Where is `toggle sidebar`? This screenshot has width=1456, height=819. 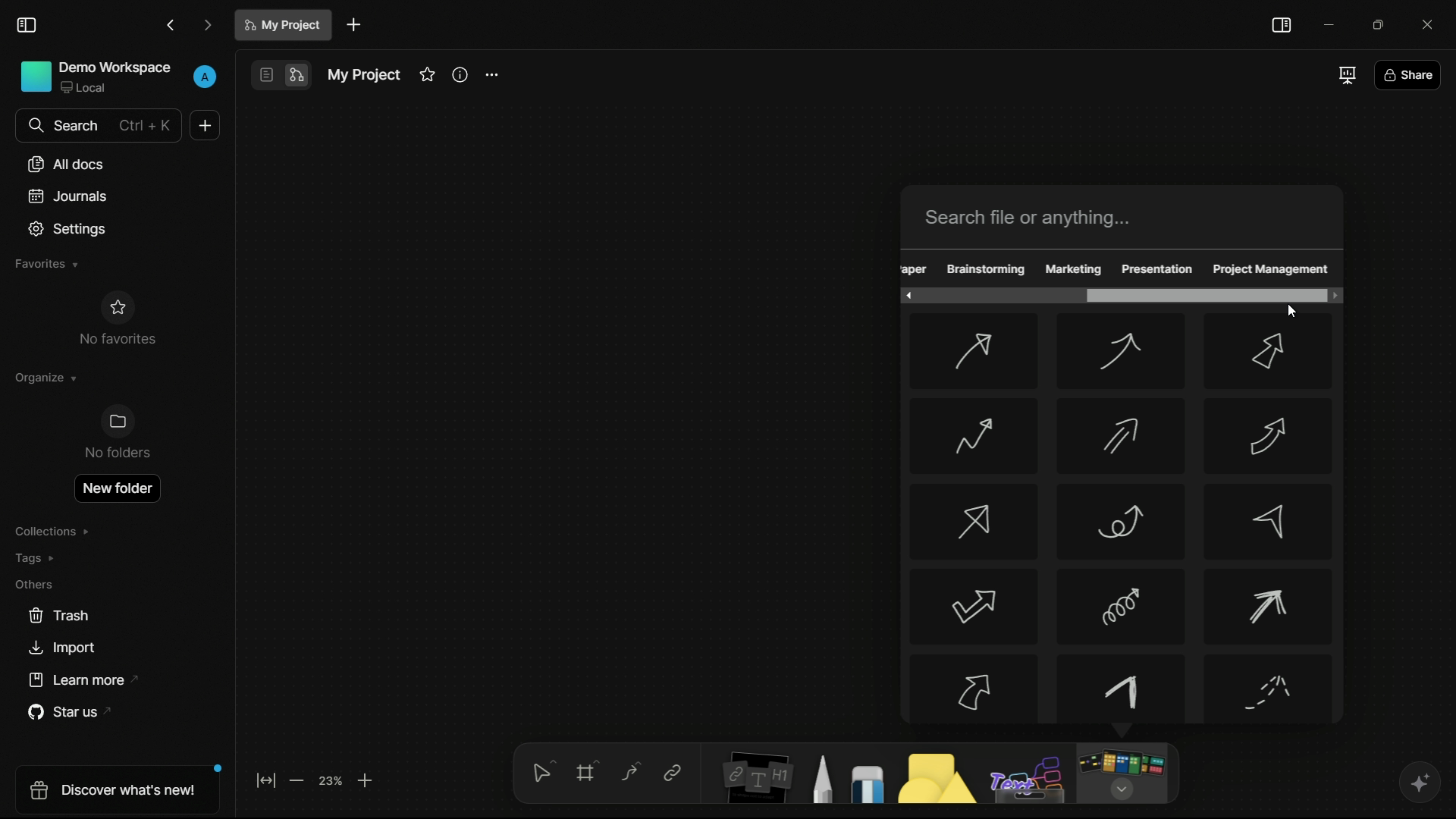
toggle sidebar is located at coordinates (1281, 25).